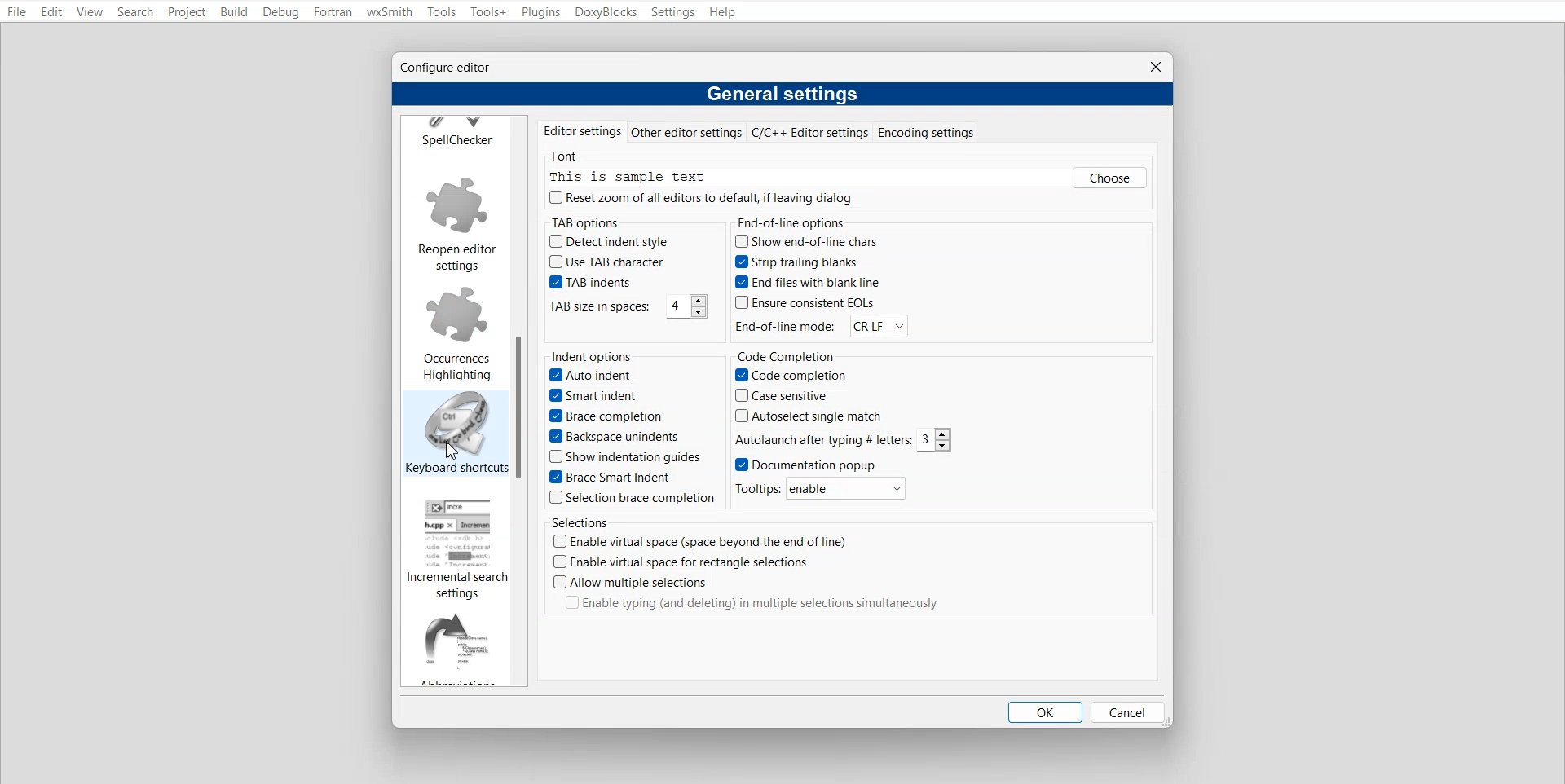 The image size is (1565, 784). I want to click on Show indentation guides, so click(622, 459).